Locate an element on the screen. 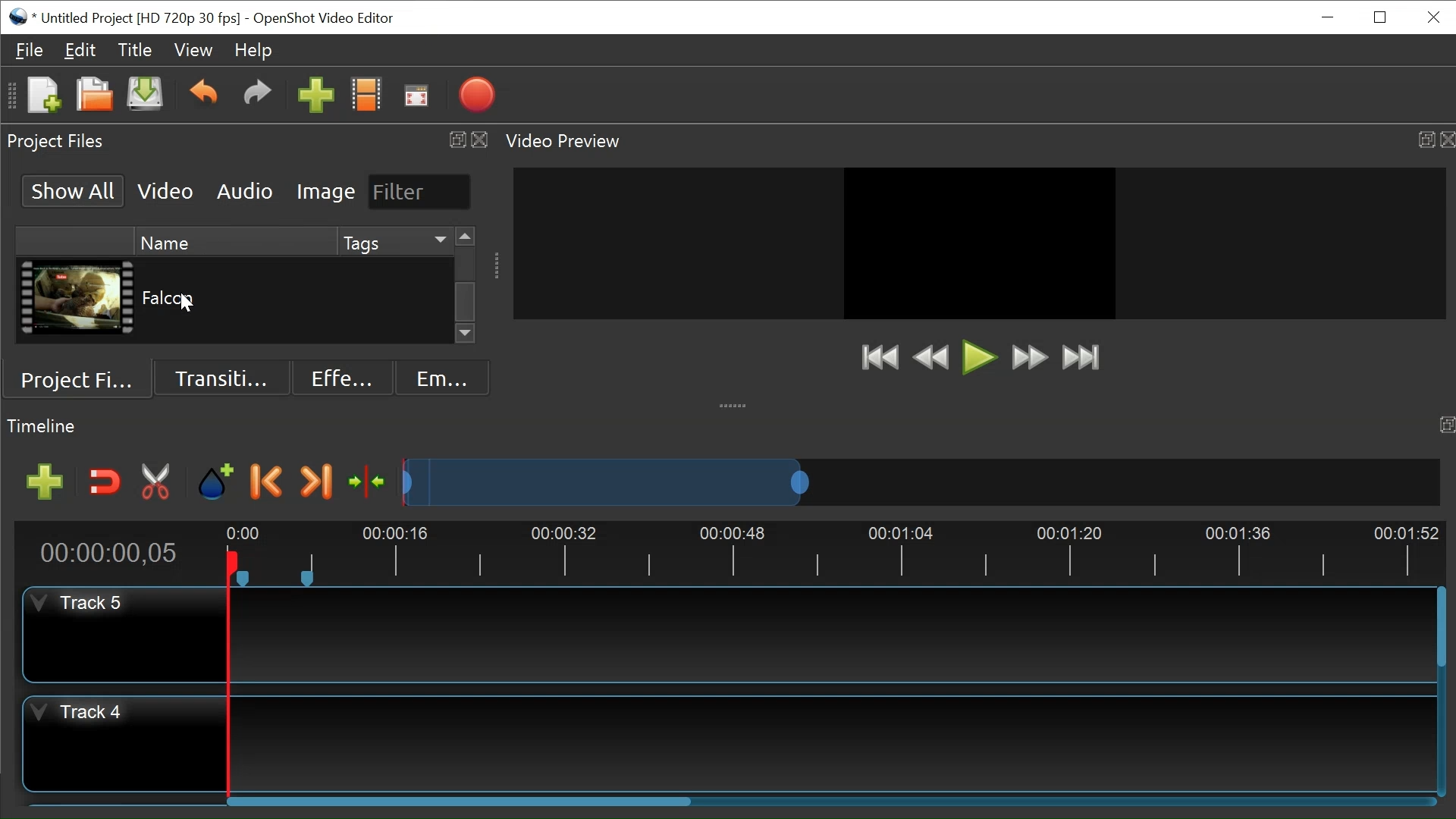 The height and width of the screenshot is (819, 1456). Video is located at coordinates (166, 190).